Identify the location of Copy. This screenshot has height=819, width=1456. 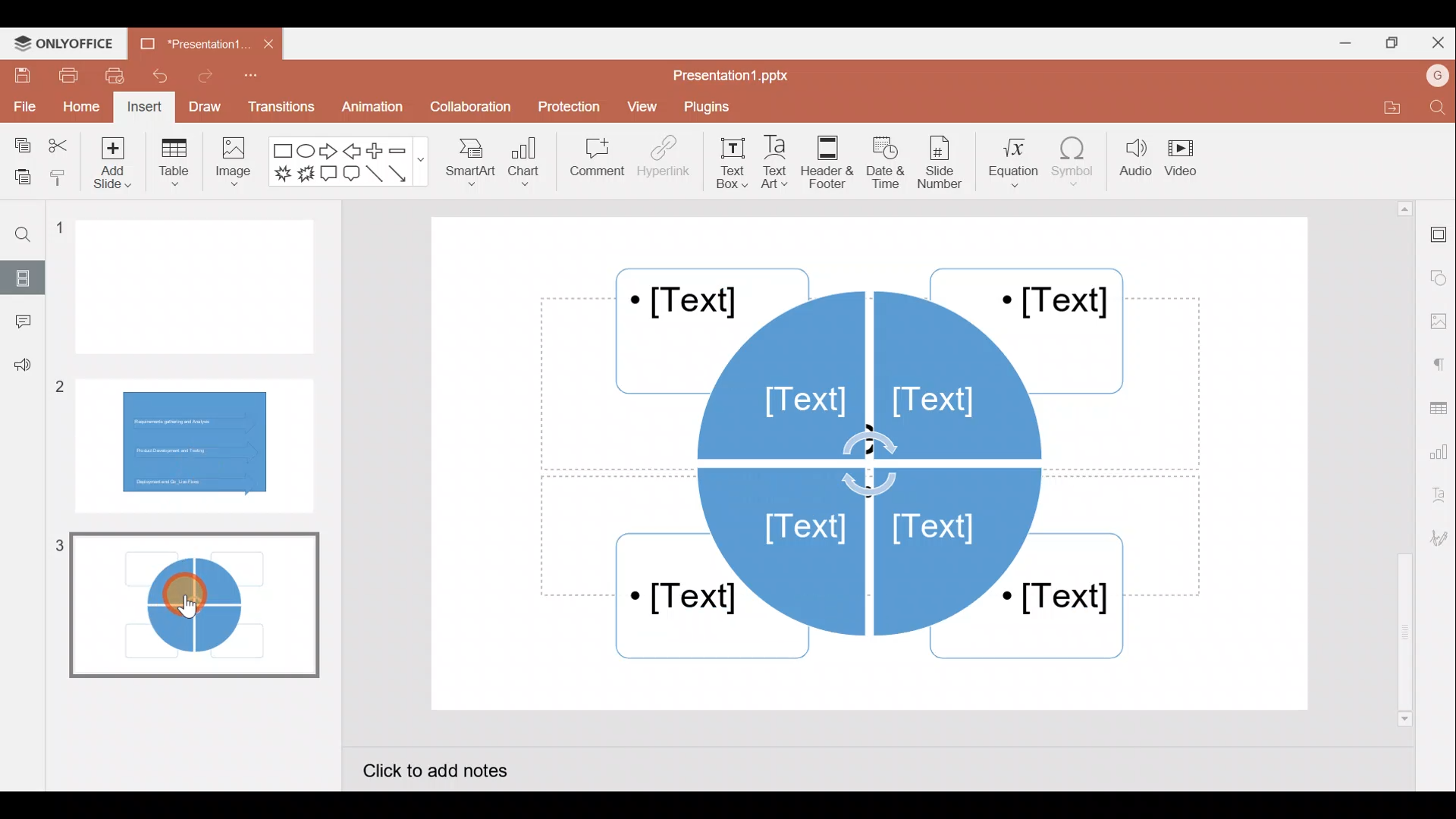
(22, 141).